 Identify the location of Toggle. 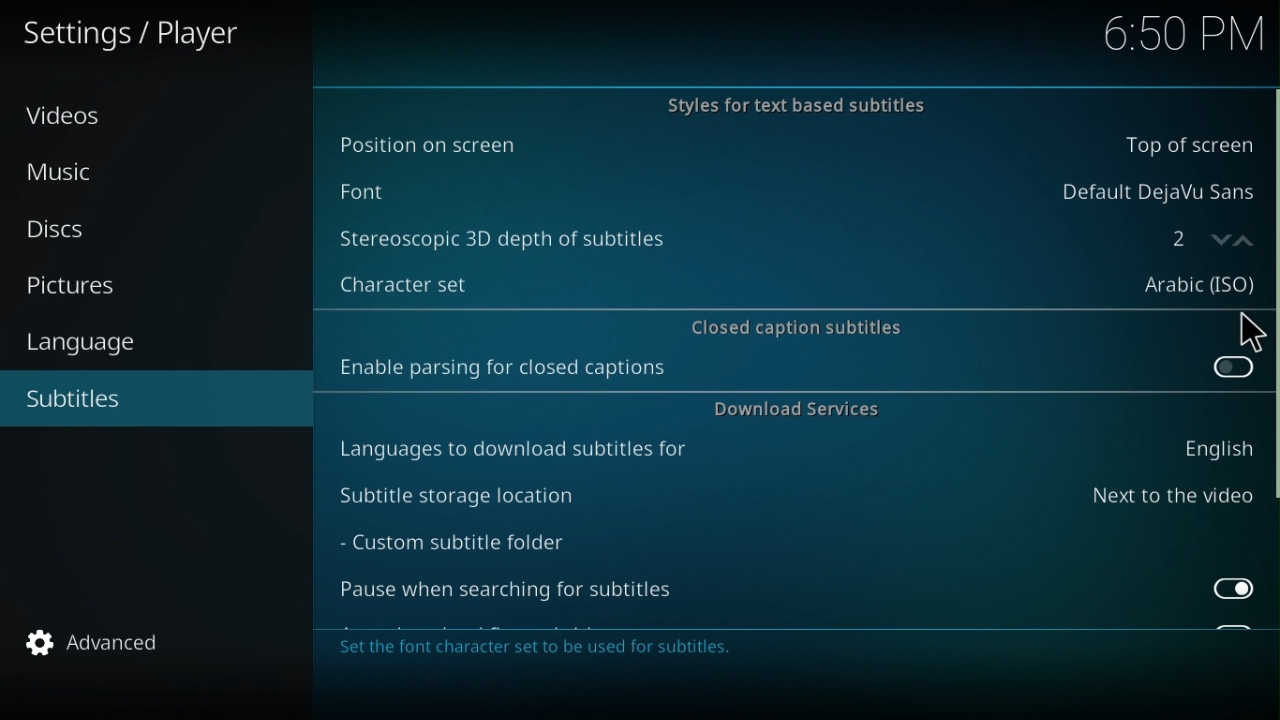
(1227, 365).